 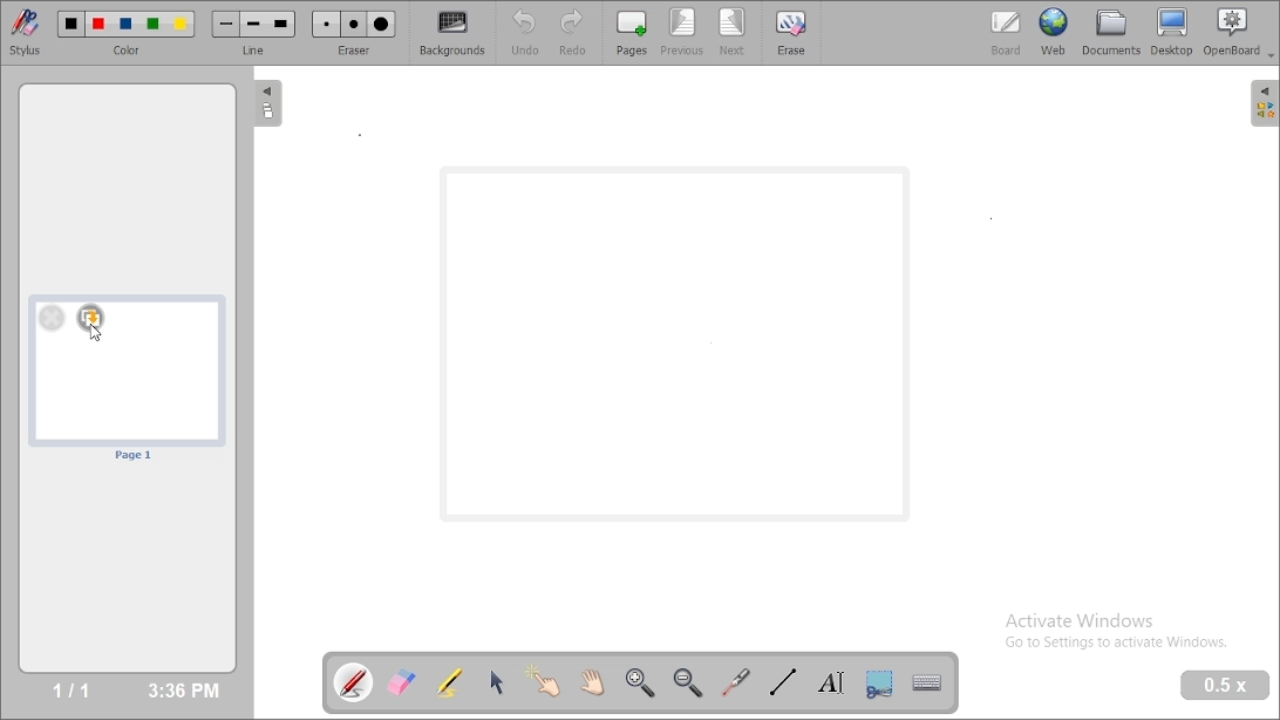 I want to click on 3:36 PM, so click(x=182, y=691).